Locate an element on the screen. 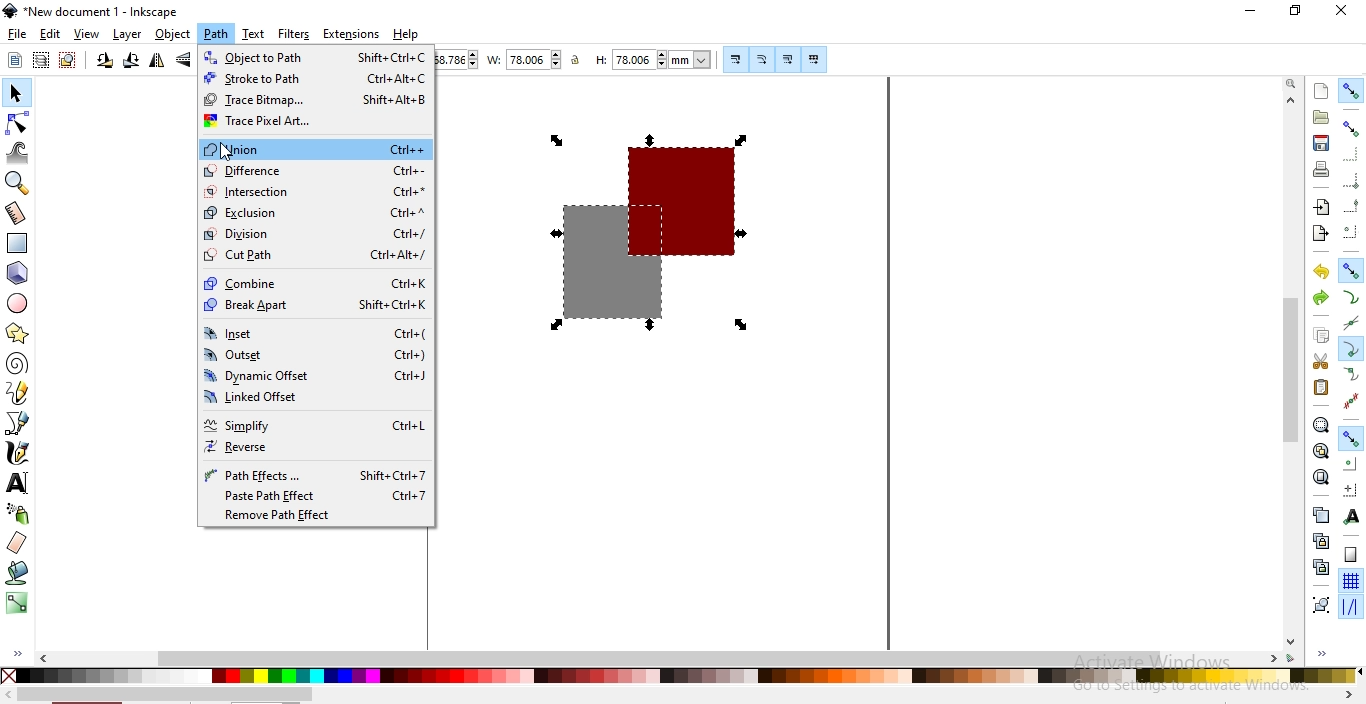 This screenshot has width=1366, height=704. save document is located at coordinates (1319, 143).